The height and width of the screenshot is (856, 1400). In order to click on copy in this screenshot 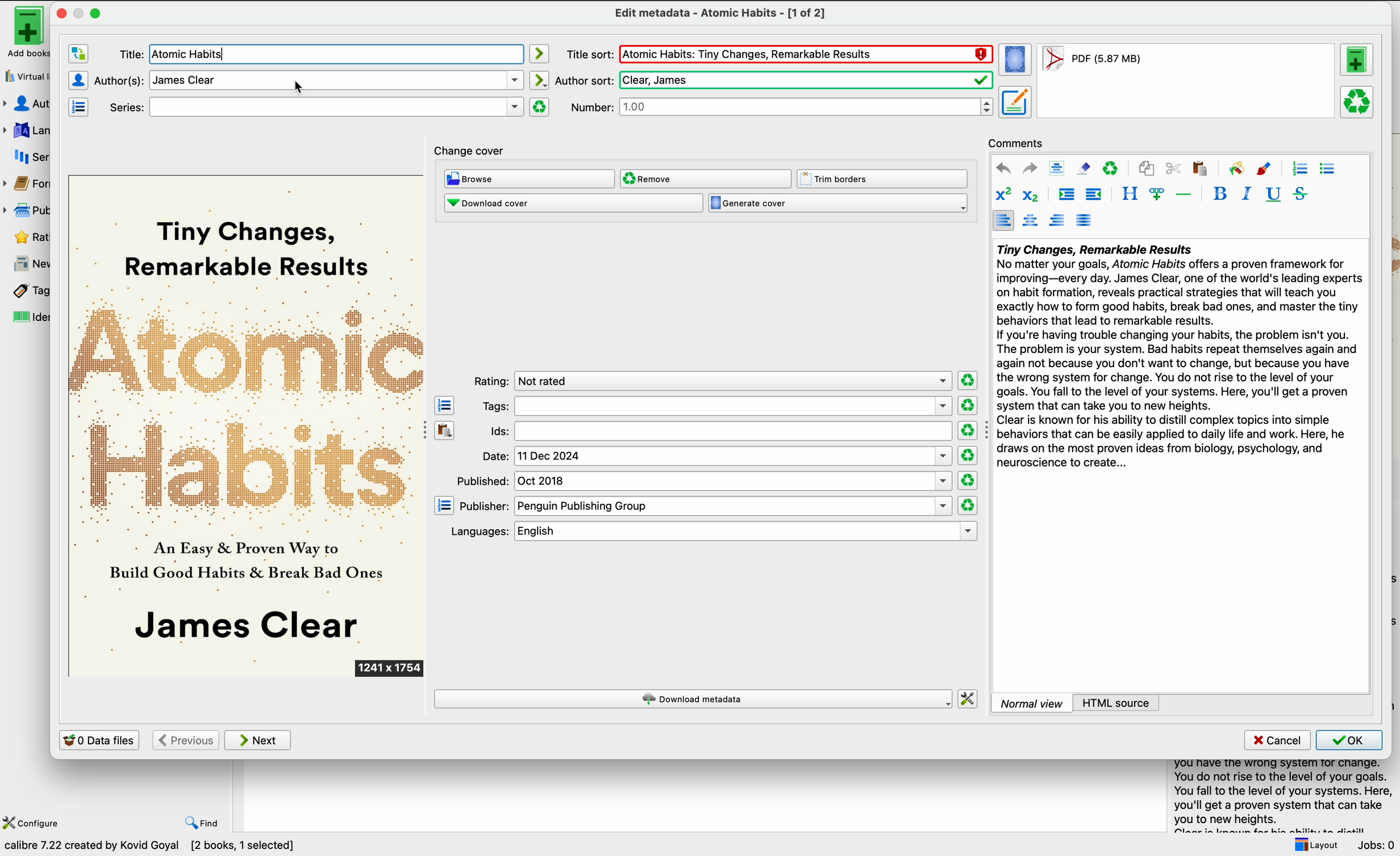, I will do `click(1148, 167)`.